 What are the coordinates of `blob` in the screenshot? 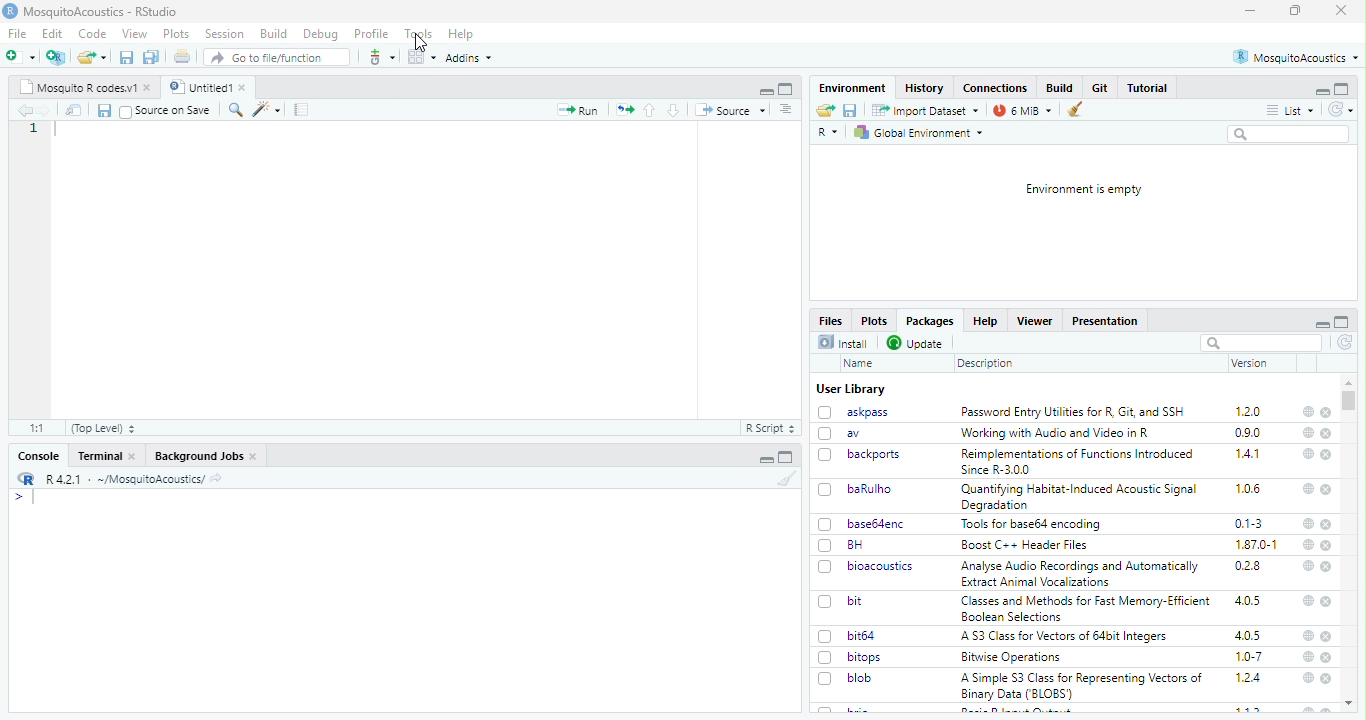 It's located at (860, 678).